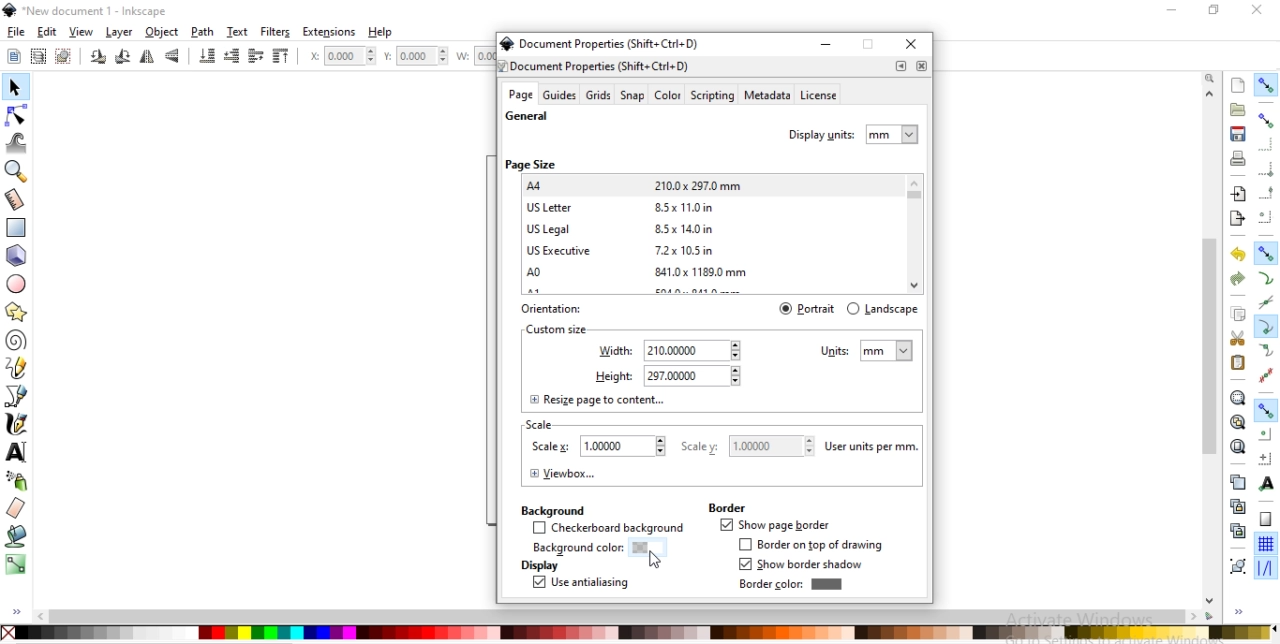 This screenshot has width=1280, height=644. Describe the element at coordinates (17, 311) in the screenshot. I see `create stars and polygons` at that location.